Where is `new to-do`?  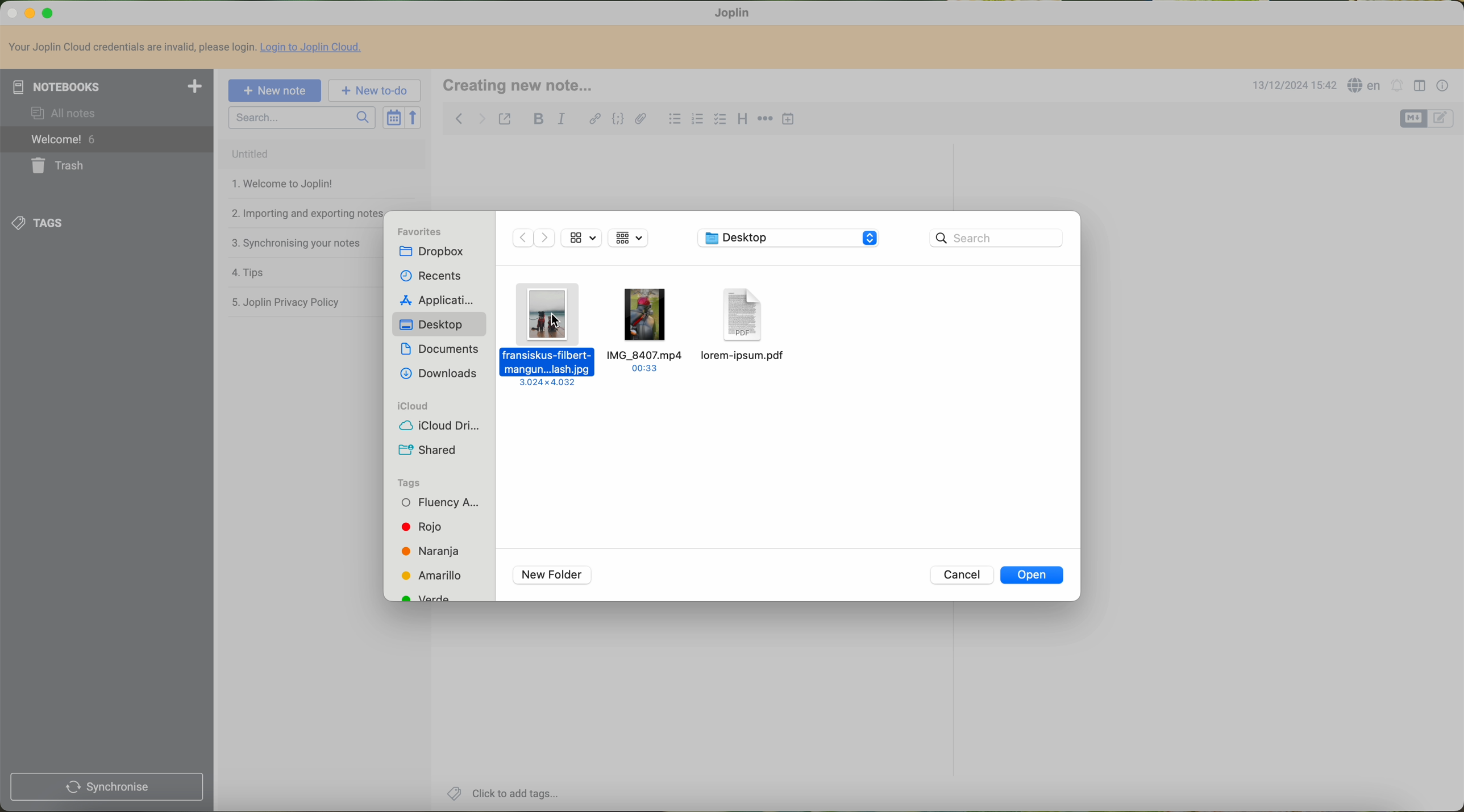 new to-do is located at coordinates (375, 91).